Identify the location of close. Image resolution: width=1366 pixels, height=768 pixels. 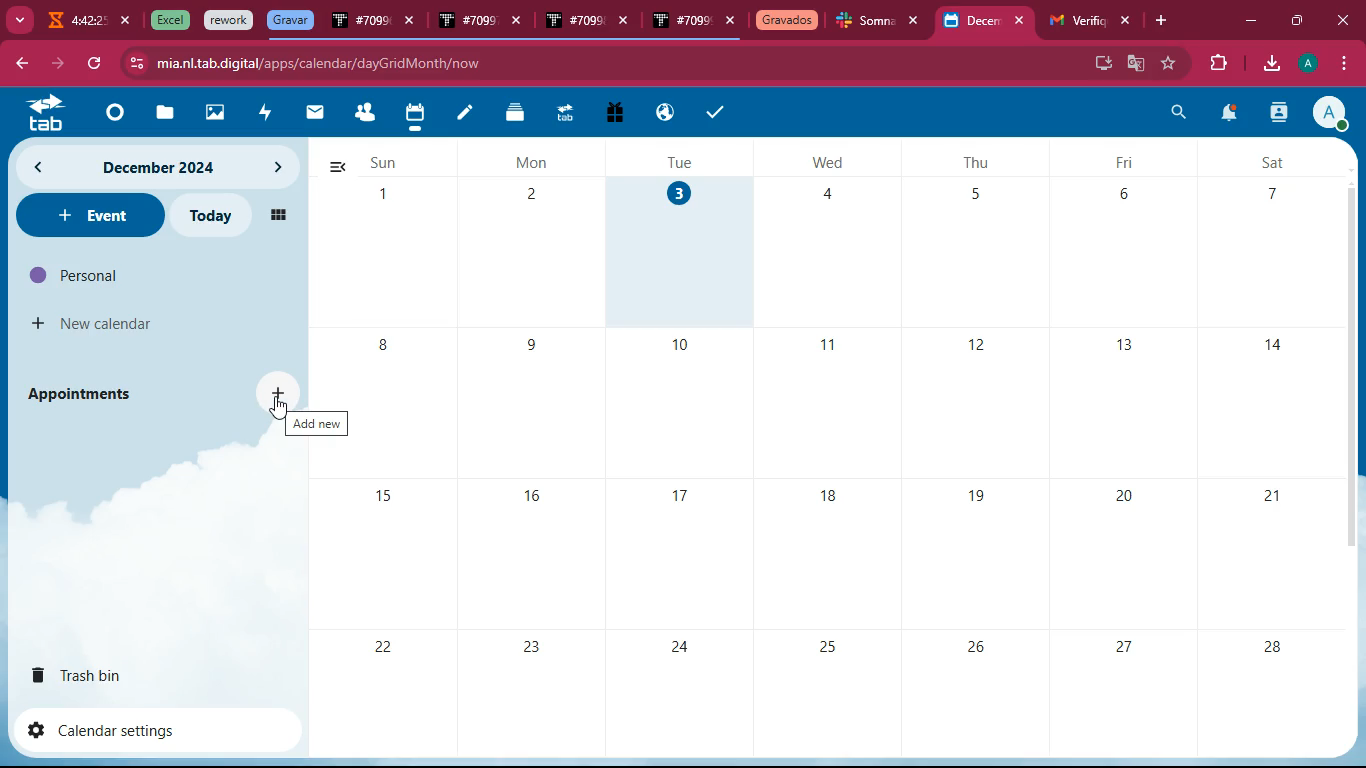
(411, 23).